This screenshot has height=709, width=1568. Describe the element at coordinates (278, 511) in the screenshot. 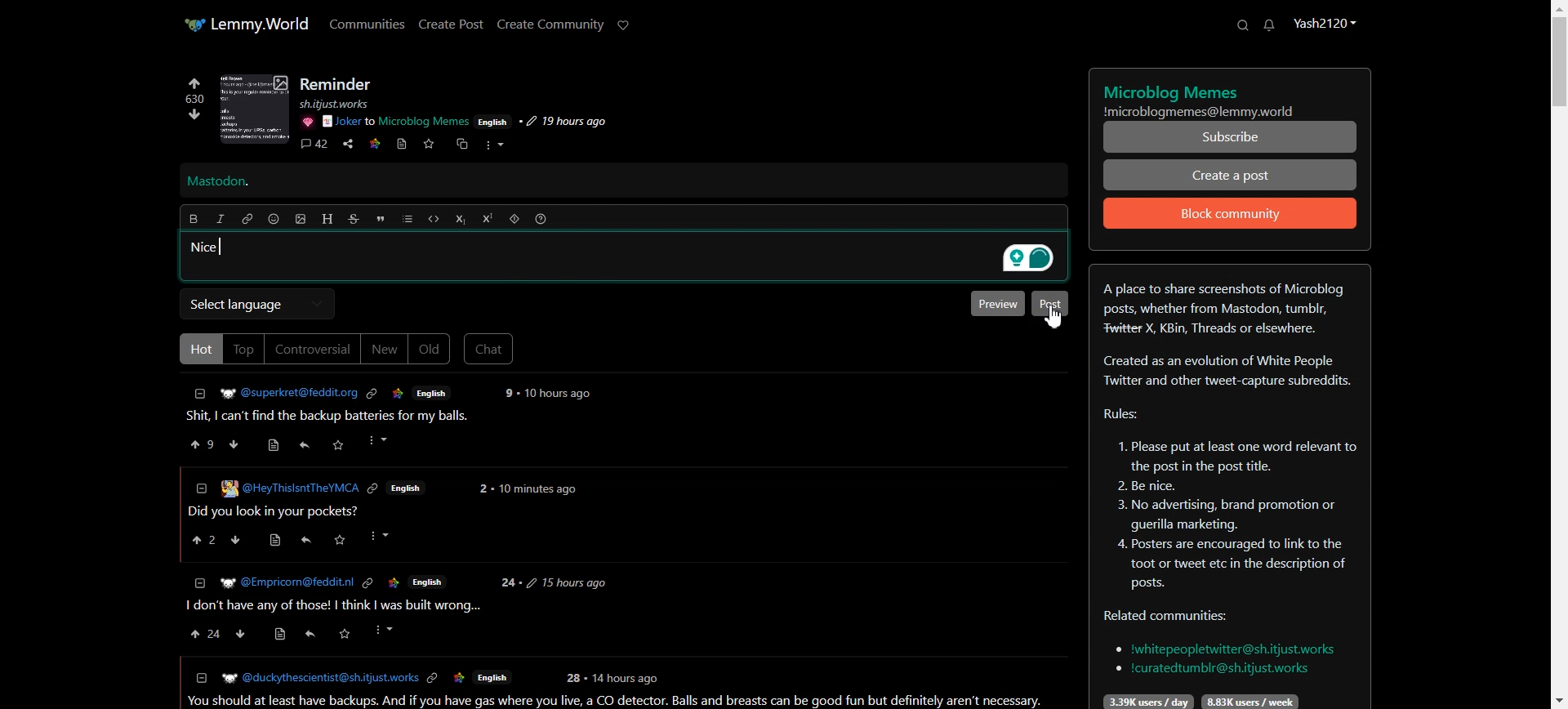

I see `Did you look in your pockets?` at that location.